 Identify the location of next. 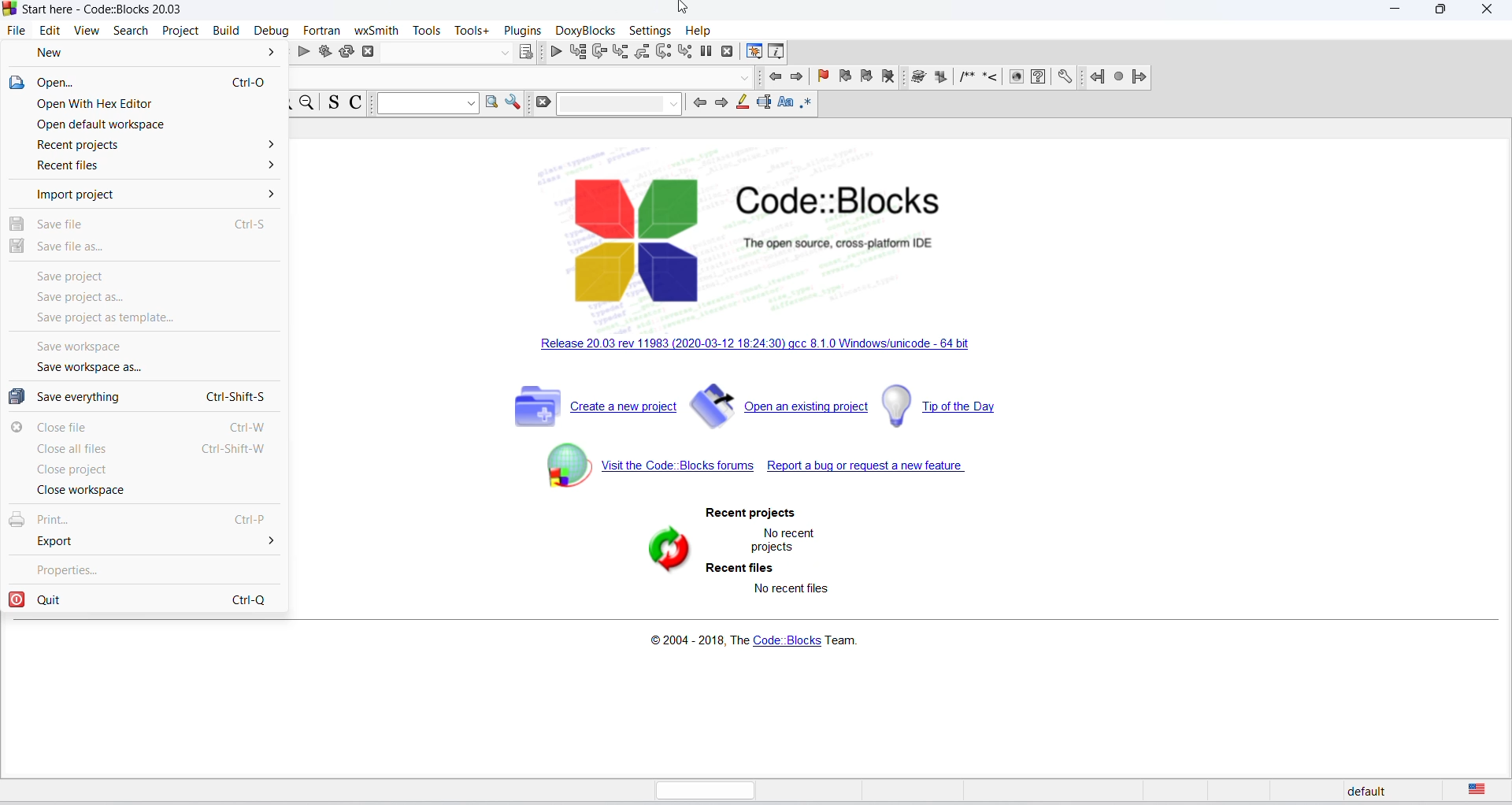
(721, 105).